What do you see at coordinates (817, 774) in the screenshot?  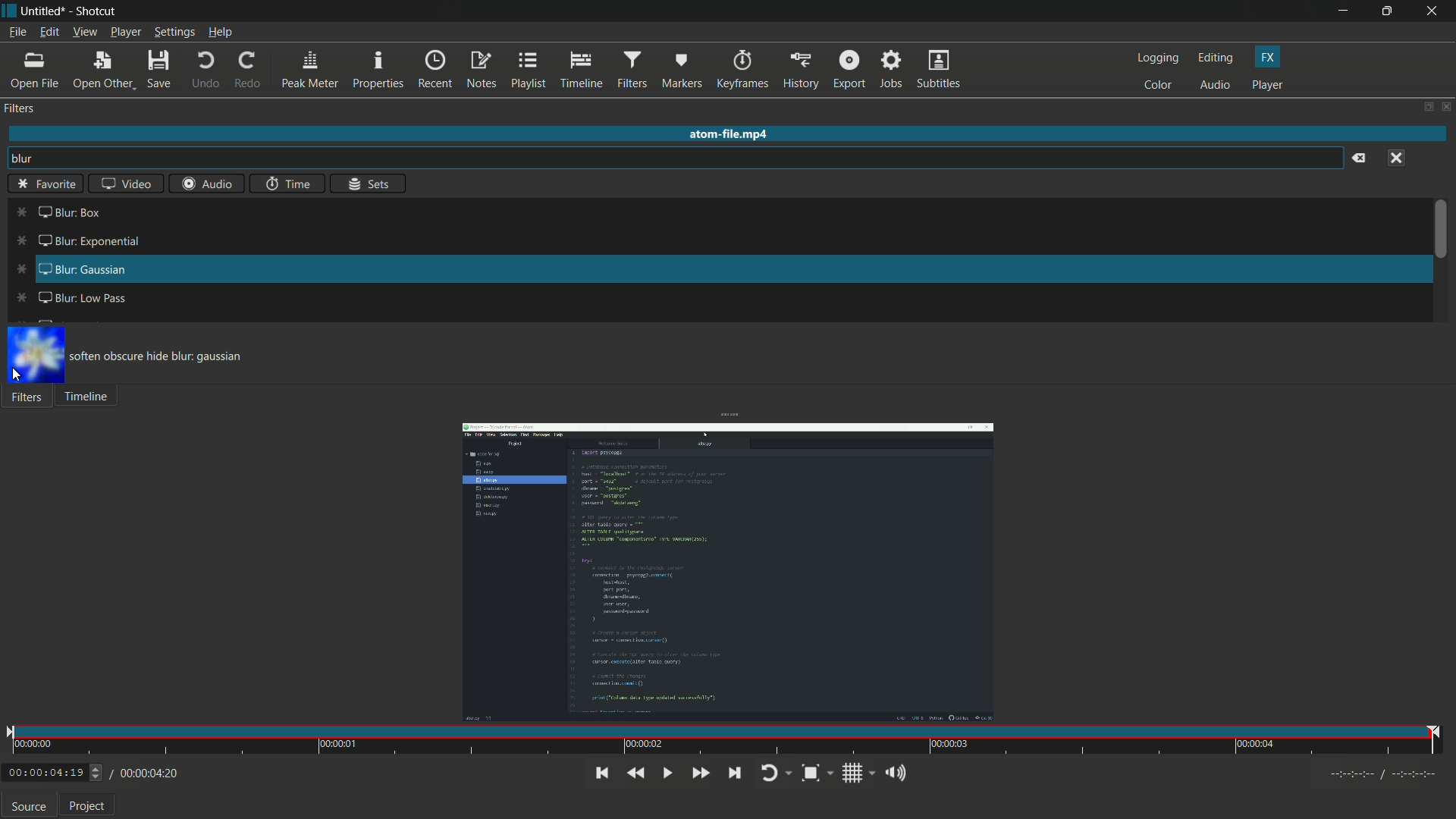 I see `toggle zoom` at bounding box center [817, 774].